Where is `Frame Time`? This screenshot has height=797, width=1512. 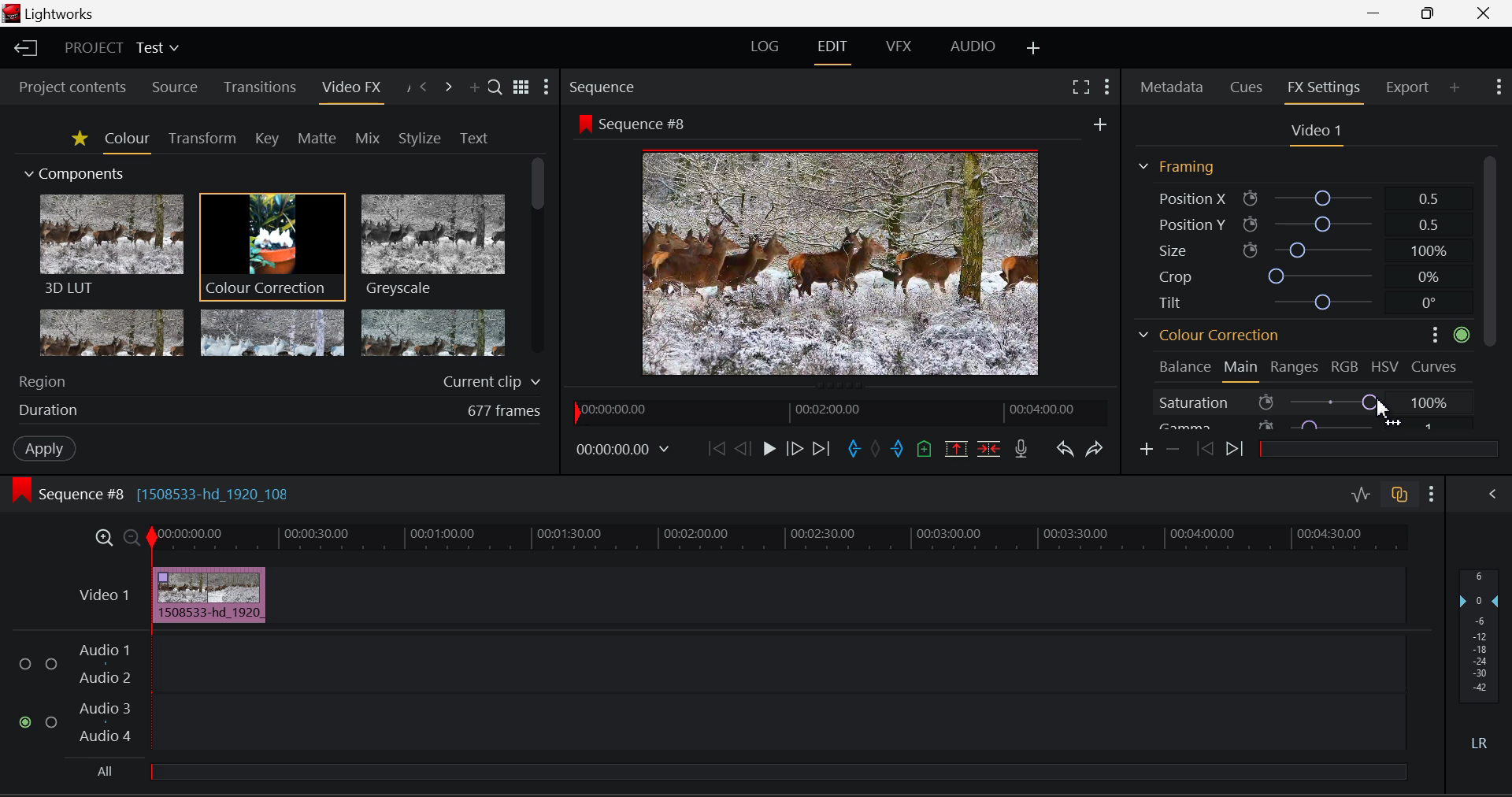 Frame Time is located at coordinates (623, 451).